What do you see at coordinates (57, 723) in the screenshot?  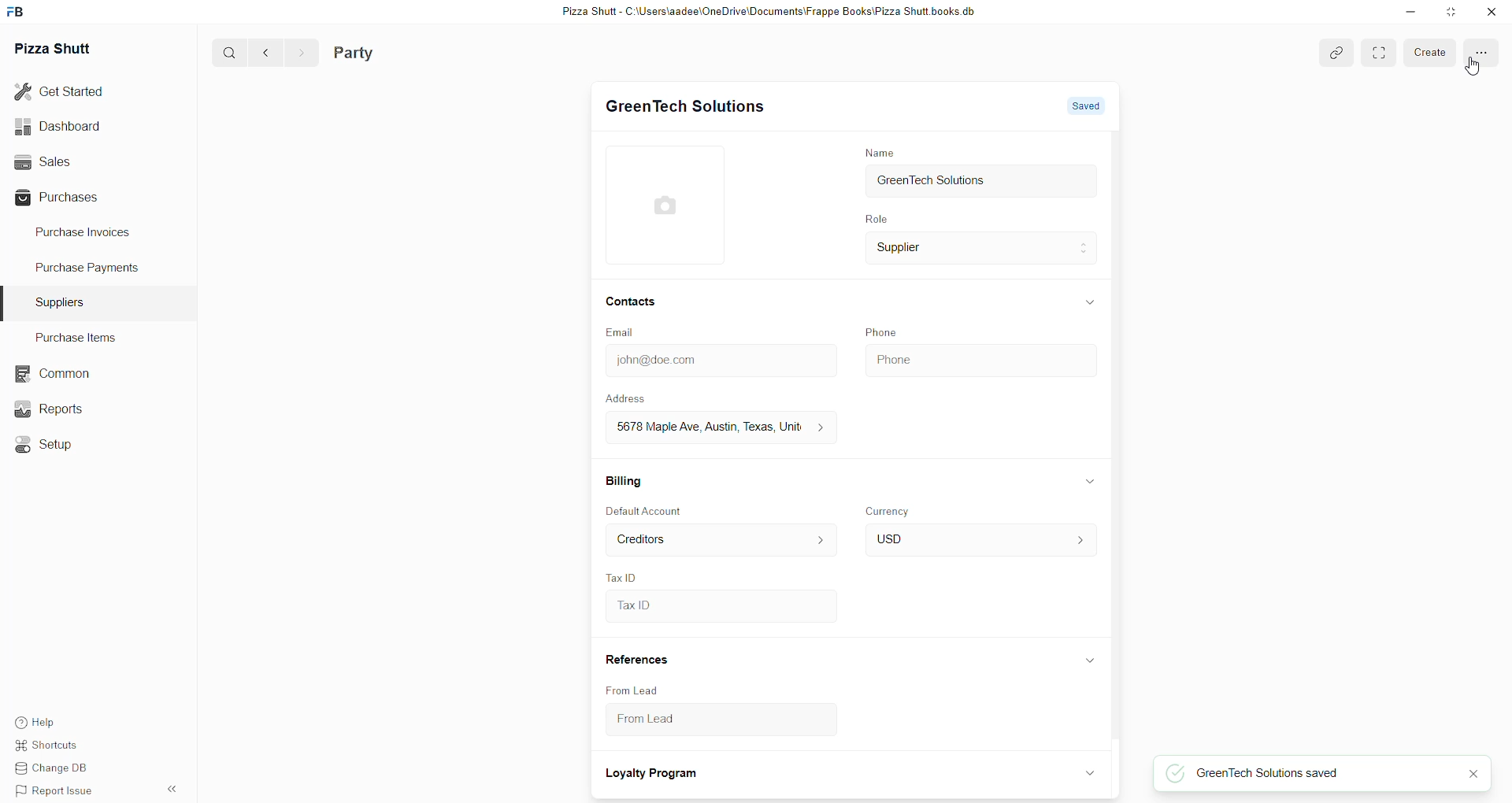 I see ` Help` at bounding box center [57, 723].